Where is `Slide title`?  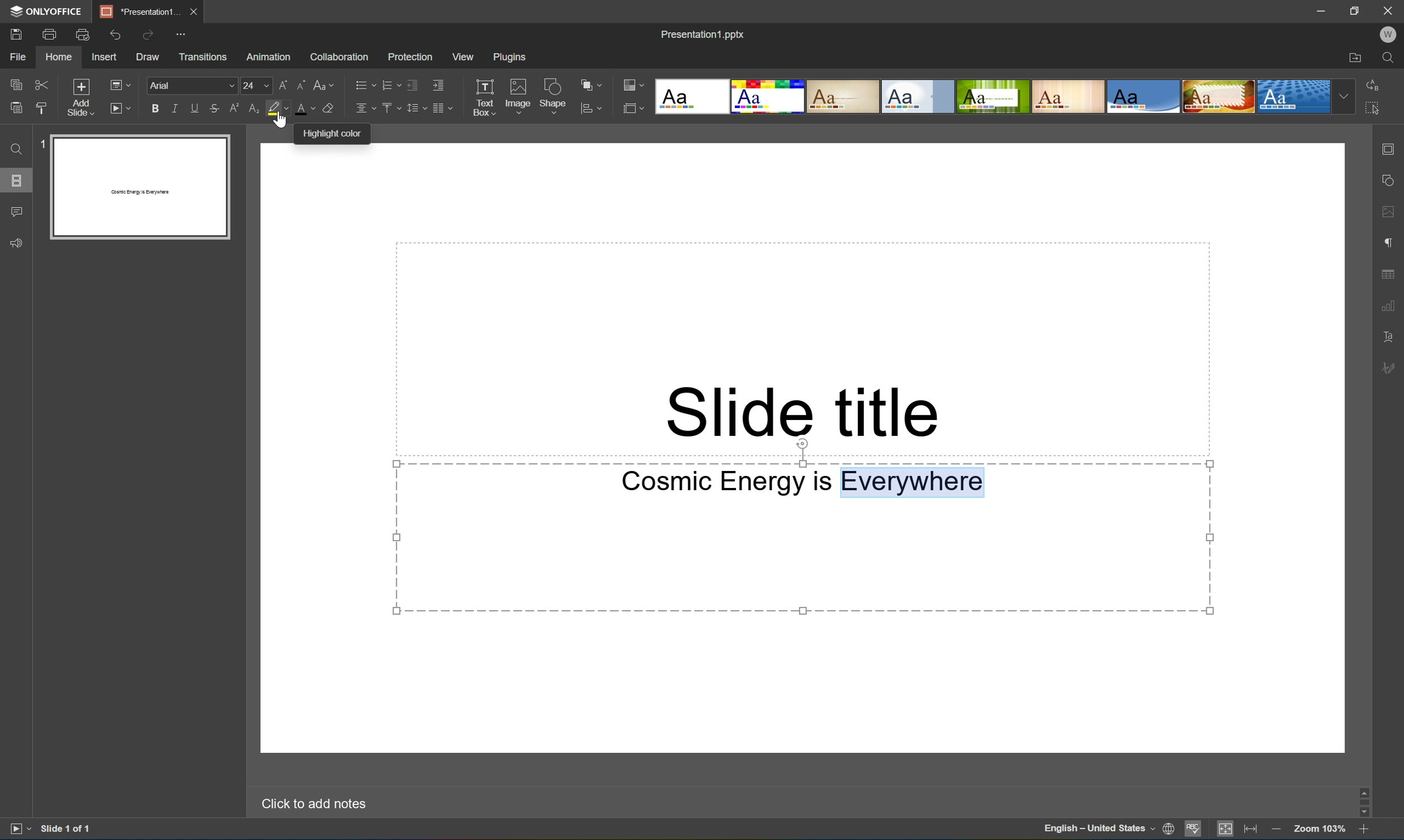 Slide title is located at coordinates (801, 410).